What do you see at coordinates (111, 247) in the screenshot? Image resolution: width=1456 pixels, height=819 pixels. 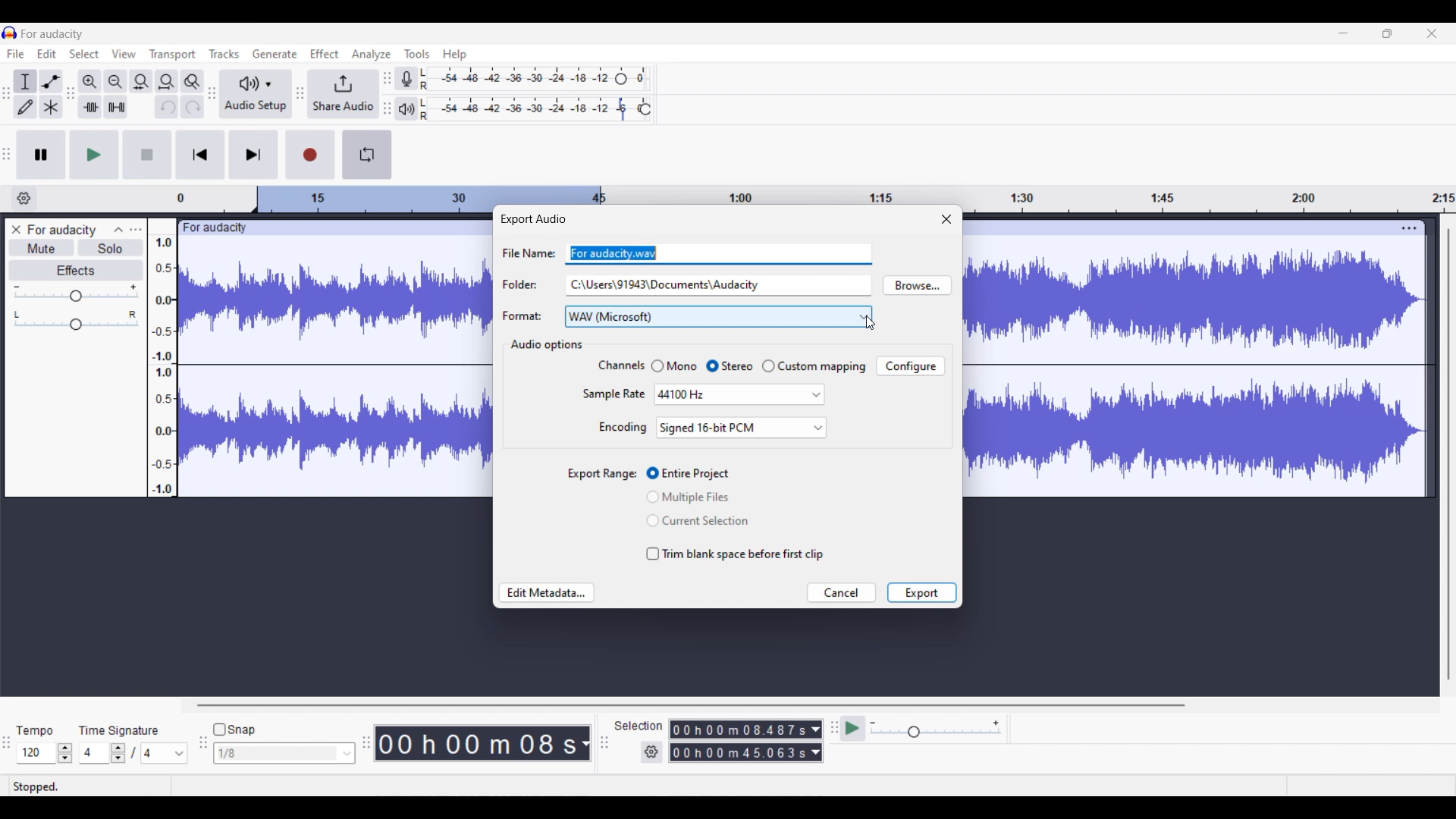 I see `Solo` at bounding box center [111, 247].